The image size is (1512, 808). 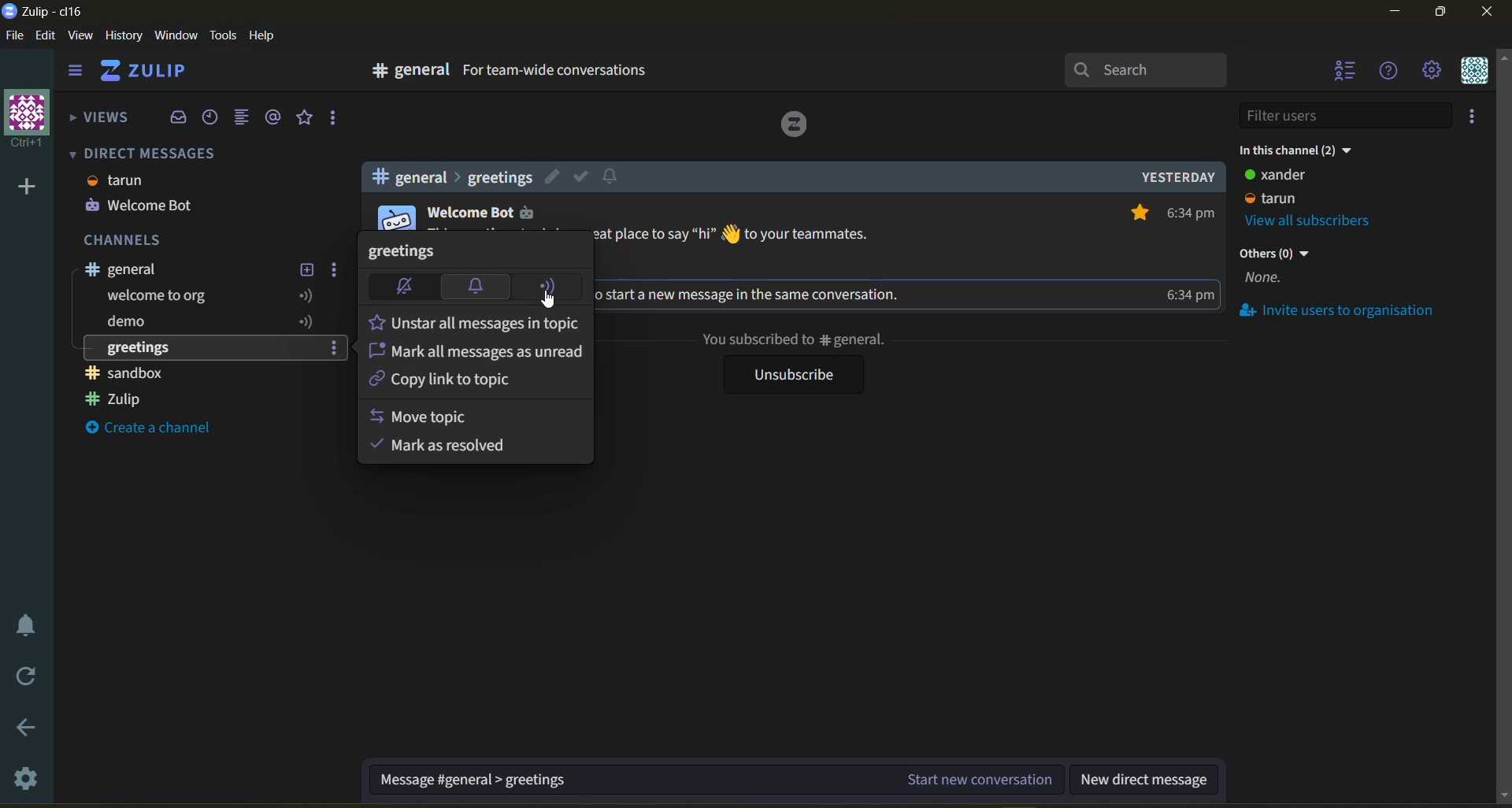 What do you see at coordinates (580, 176) in the screenshot?
I see `mark` at bounding box center [580, 176].